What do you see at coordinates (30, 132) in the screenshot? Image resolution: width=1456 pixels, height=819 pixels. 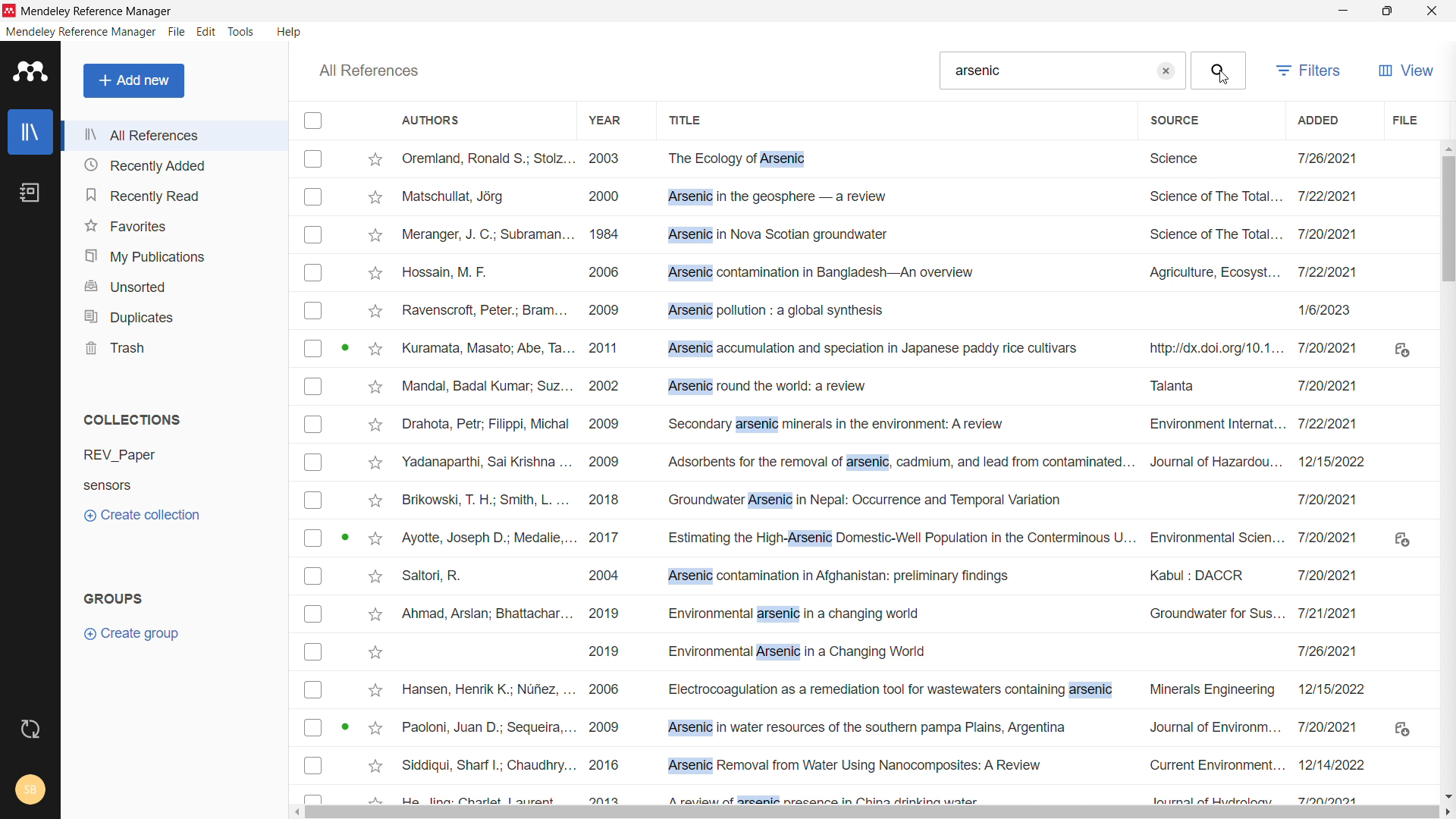 I see `library` at bounding box center [30, 132].